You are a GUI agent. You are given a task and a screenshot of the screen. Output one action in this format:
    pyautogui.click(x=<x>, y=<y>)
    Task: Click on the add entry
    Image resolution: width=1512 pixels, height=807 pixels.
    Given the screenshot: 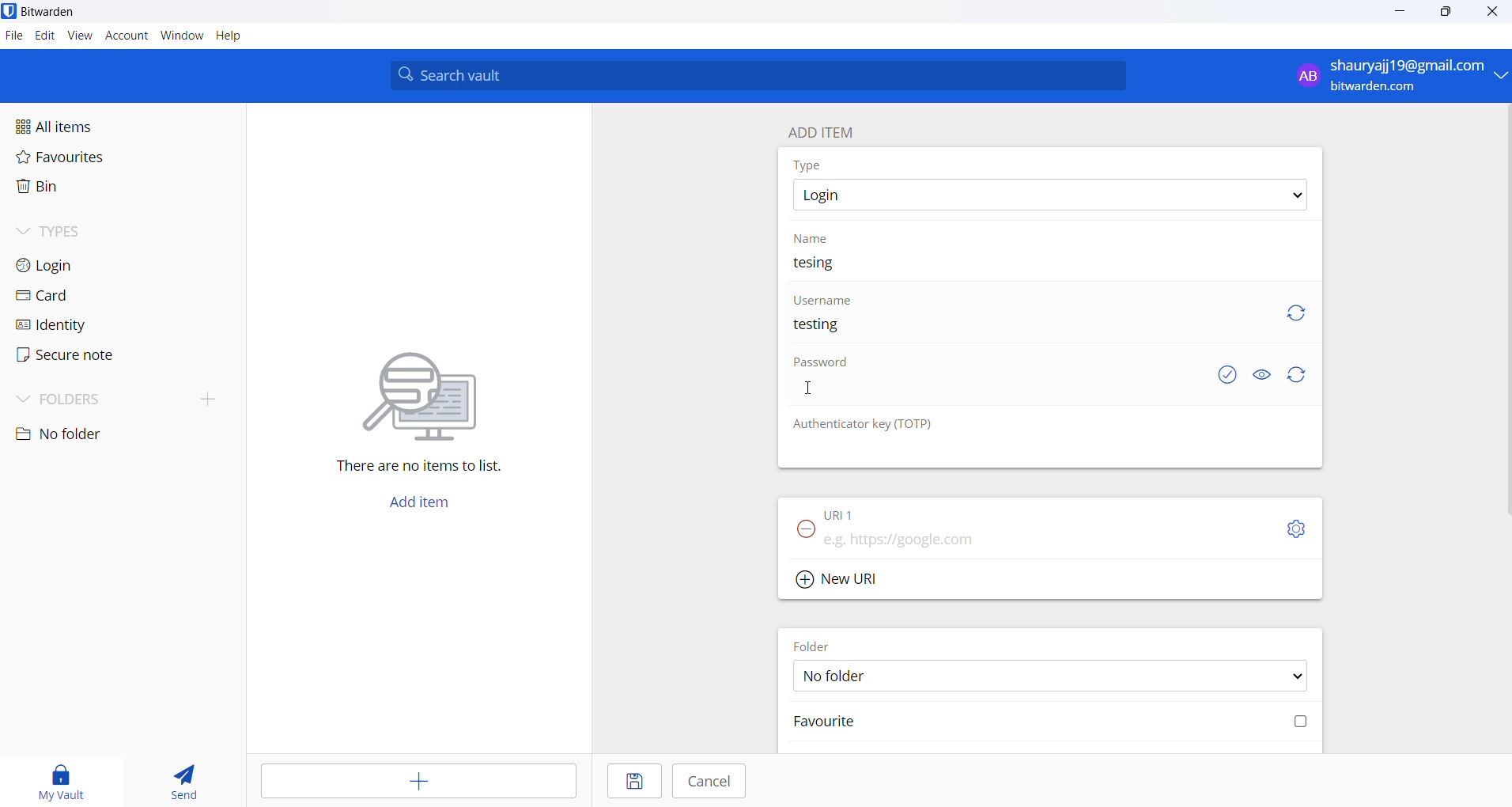 What is the action you would take?
    pyautogui.click(x=421, y=782)
    